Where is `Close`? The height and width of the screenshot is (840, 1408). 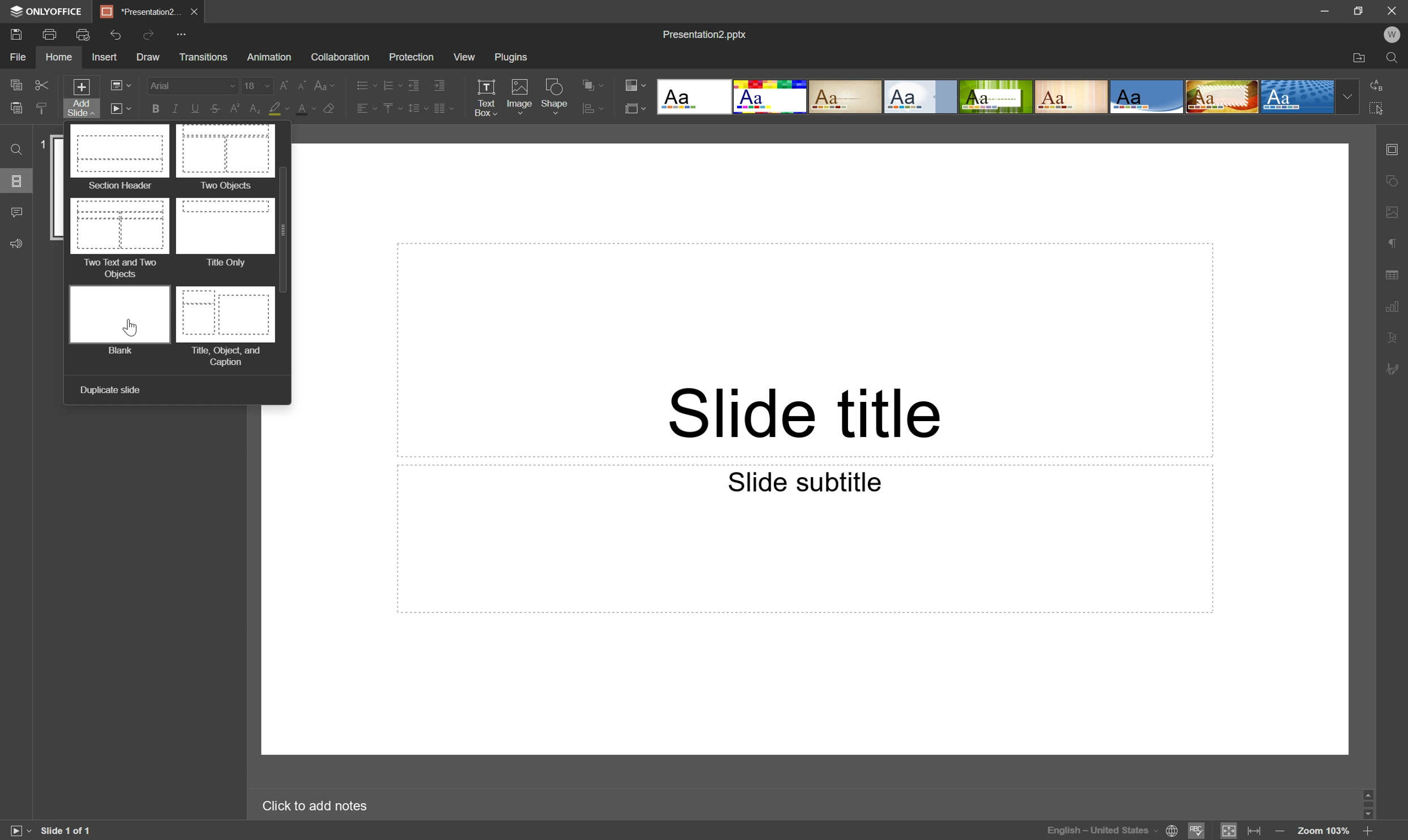 Close is located at coordinates (1390, 9).